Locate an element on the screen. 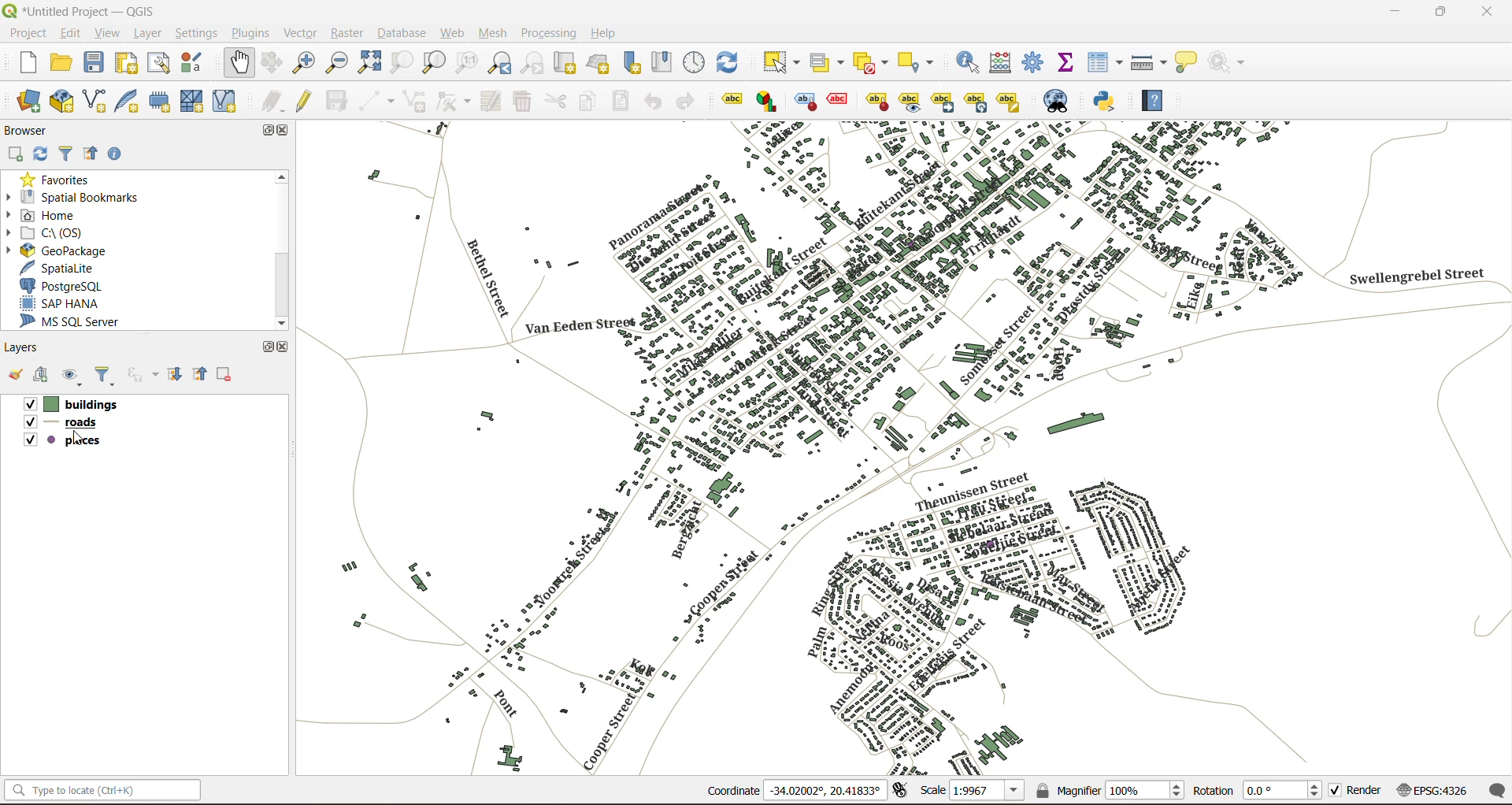  no action is located at coordinates (1232, 63).